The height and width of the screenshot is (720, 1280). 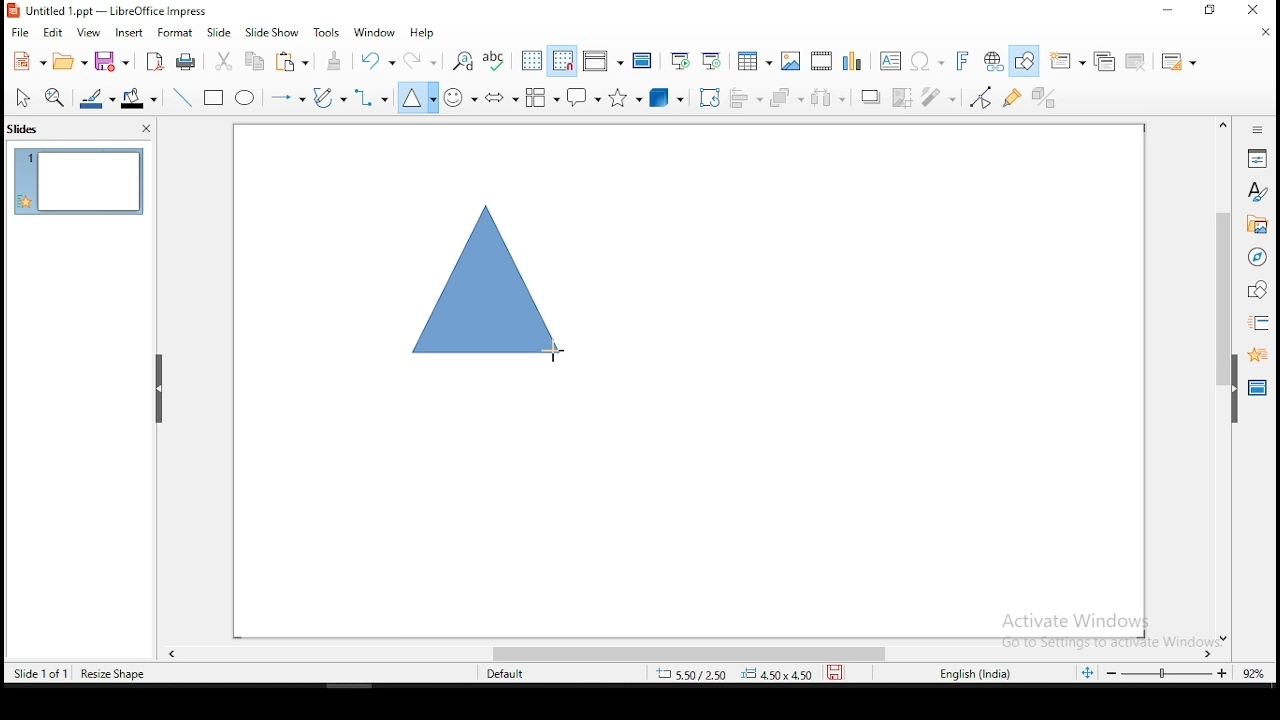 I want to click on find and replace, so click(x=464, y=60).